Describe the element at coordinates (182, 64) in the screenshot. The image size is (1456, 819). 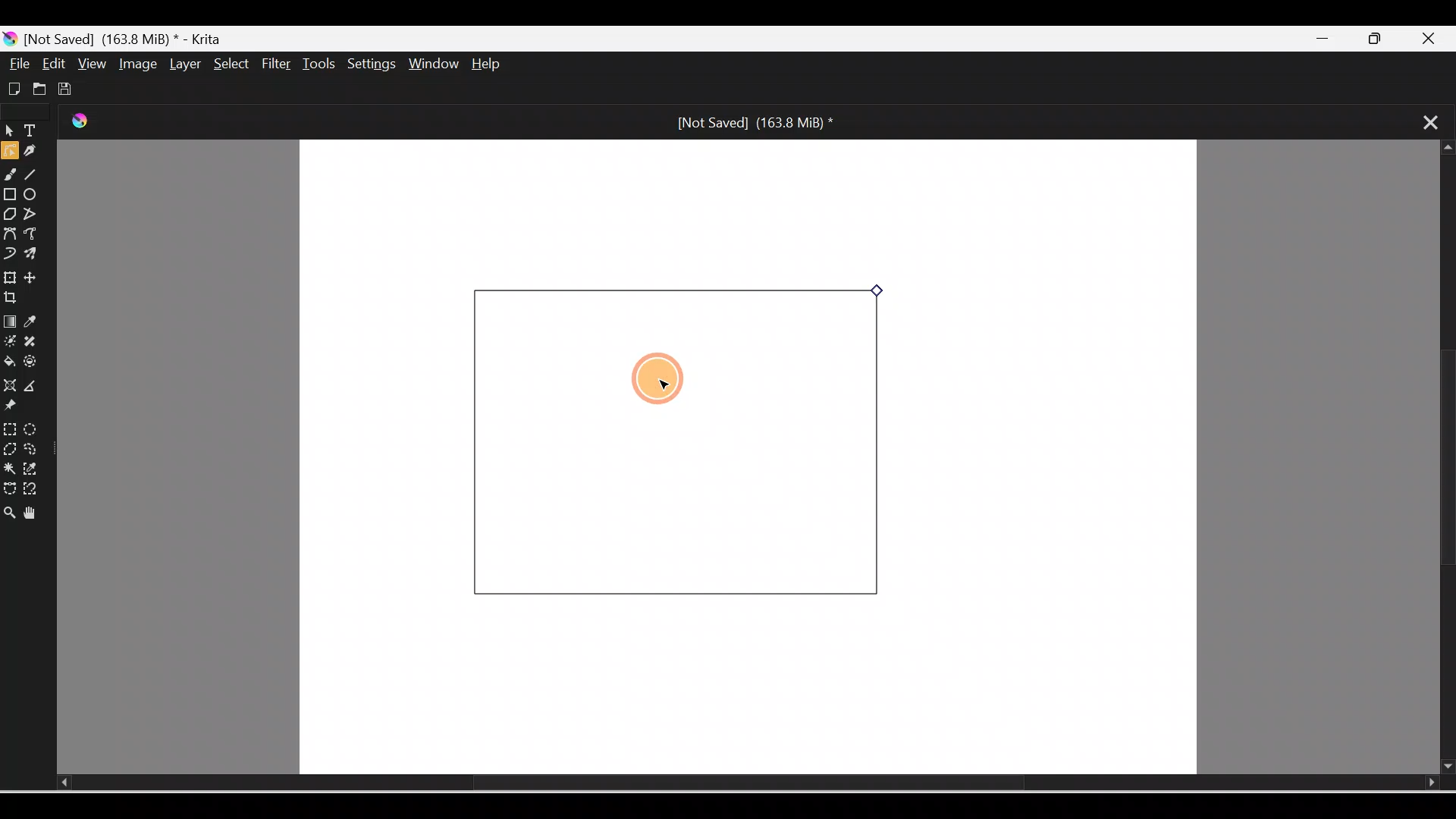
I see `Layer` at that location.